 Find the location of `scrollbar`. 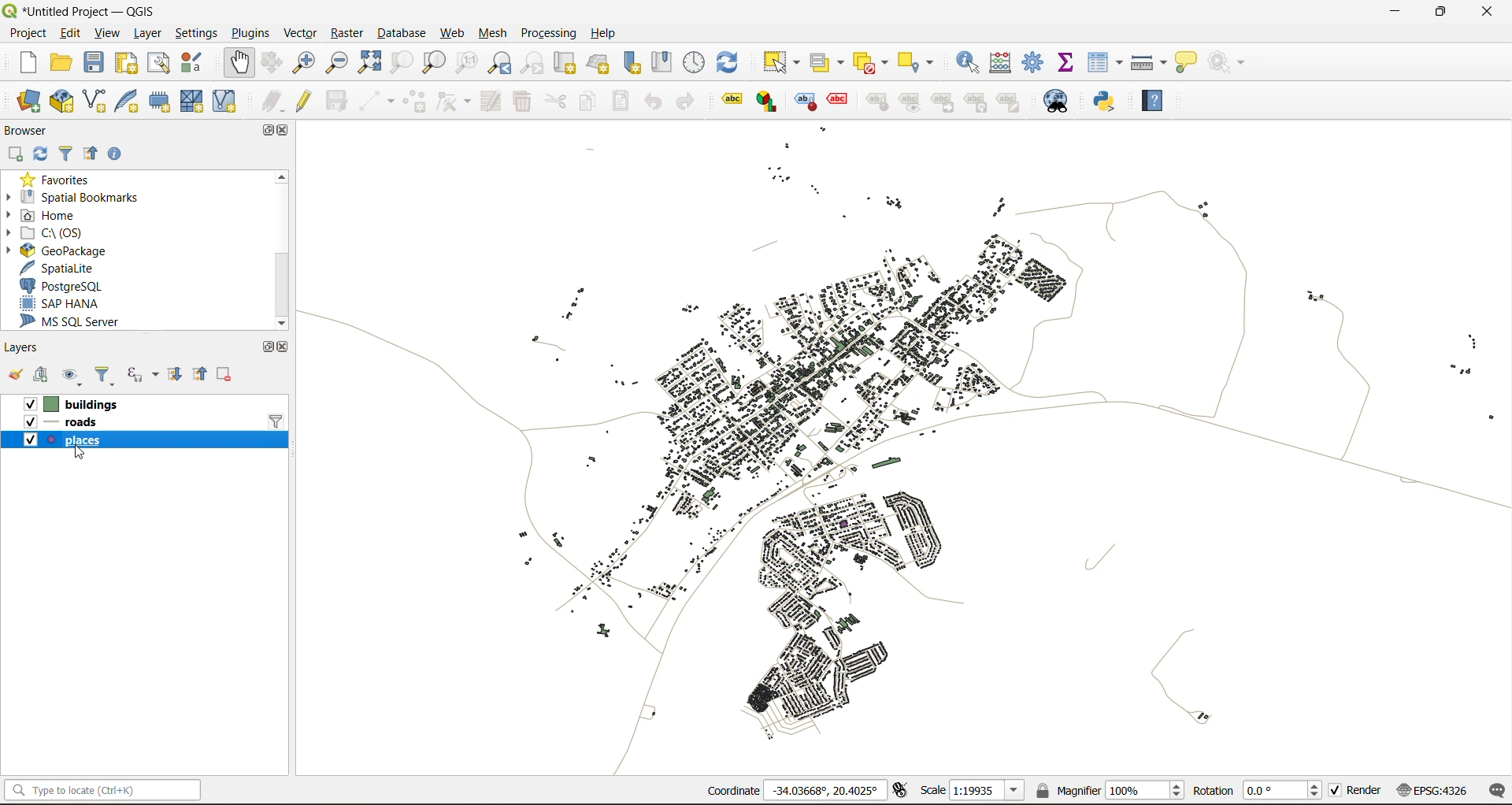

scrollbar is located at coordinates (281, 248).